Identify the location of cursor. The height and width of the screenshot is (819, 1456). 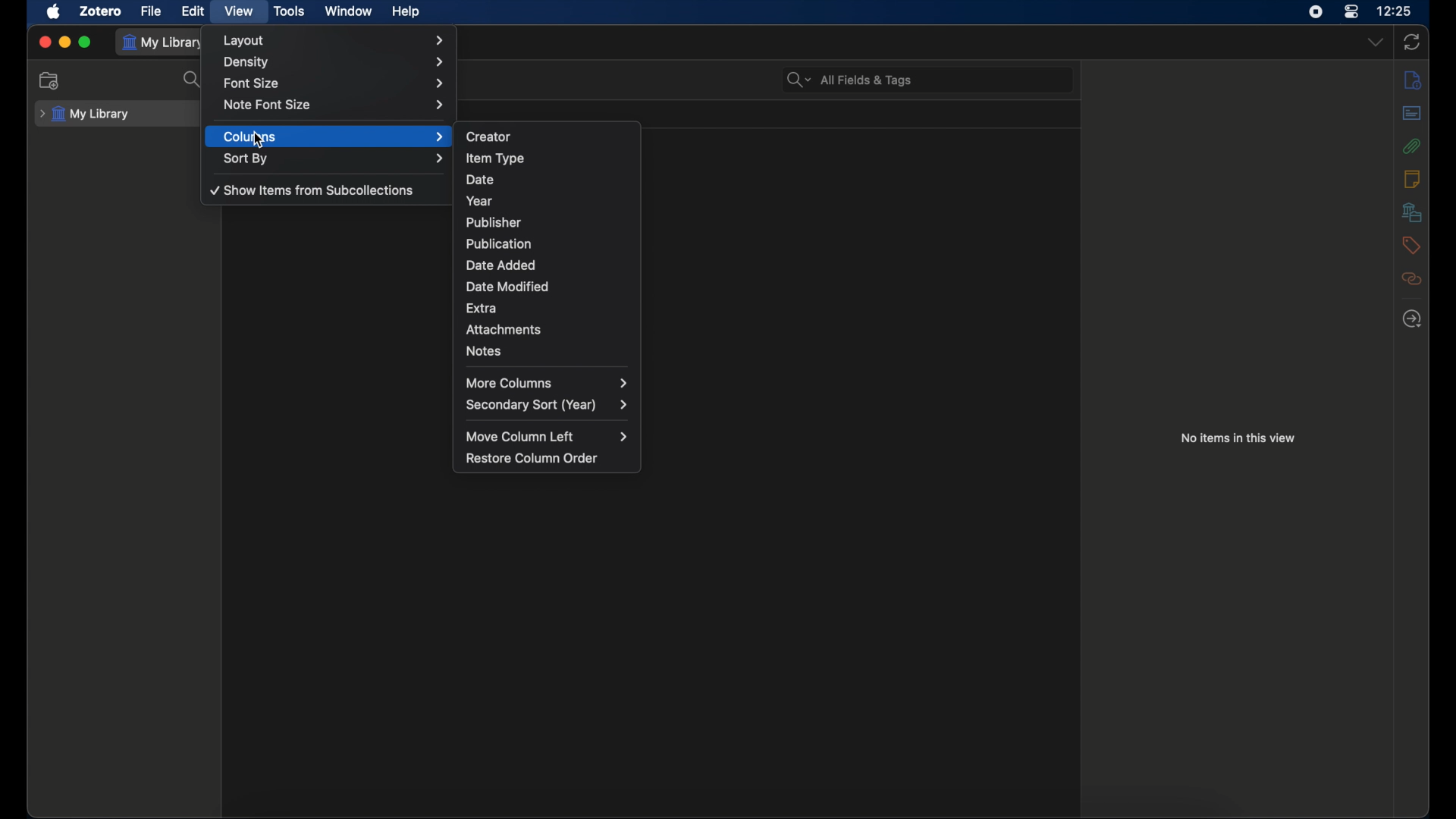
(256, 140).